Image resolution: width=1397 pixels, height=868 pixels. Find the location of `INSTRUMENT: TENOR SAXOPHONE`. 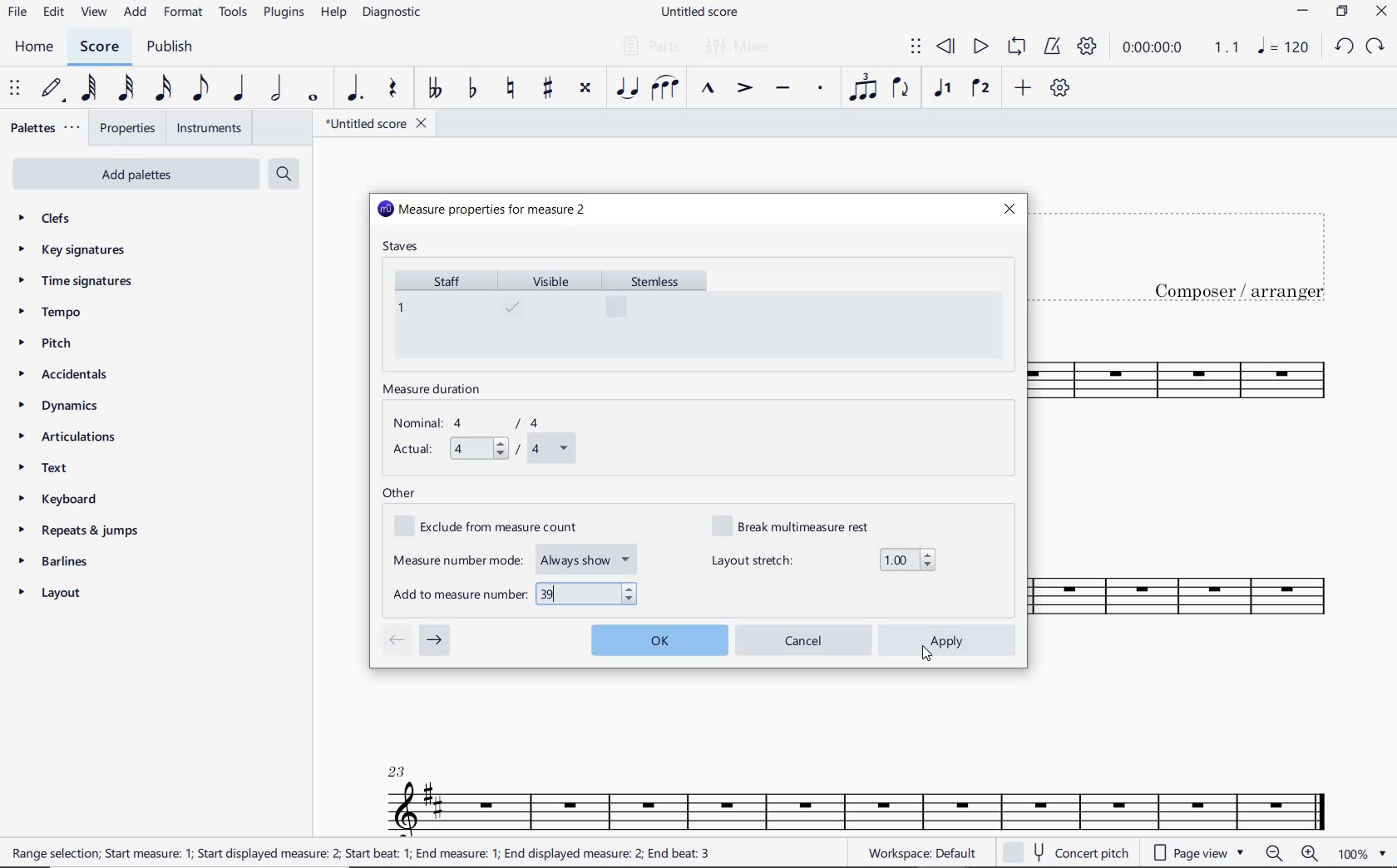

INSTRUMENT: TENOR SAXOPHONE is located at coordinates (857, 787).